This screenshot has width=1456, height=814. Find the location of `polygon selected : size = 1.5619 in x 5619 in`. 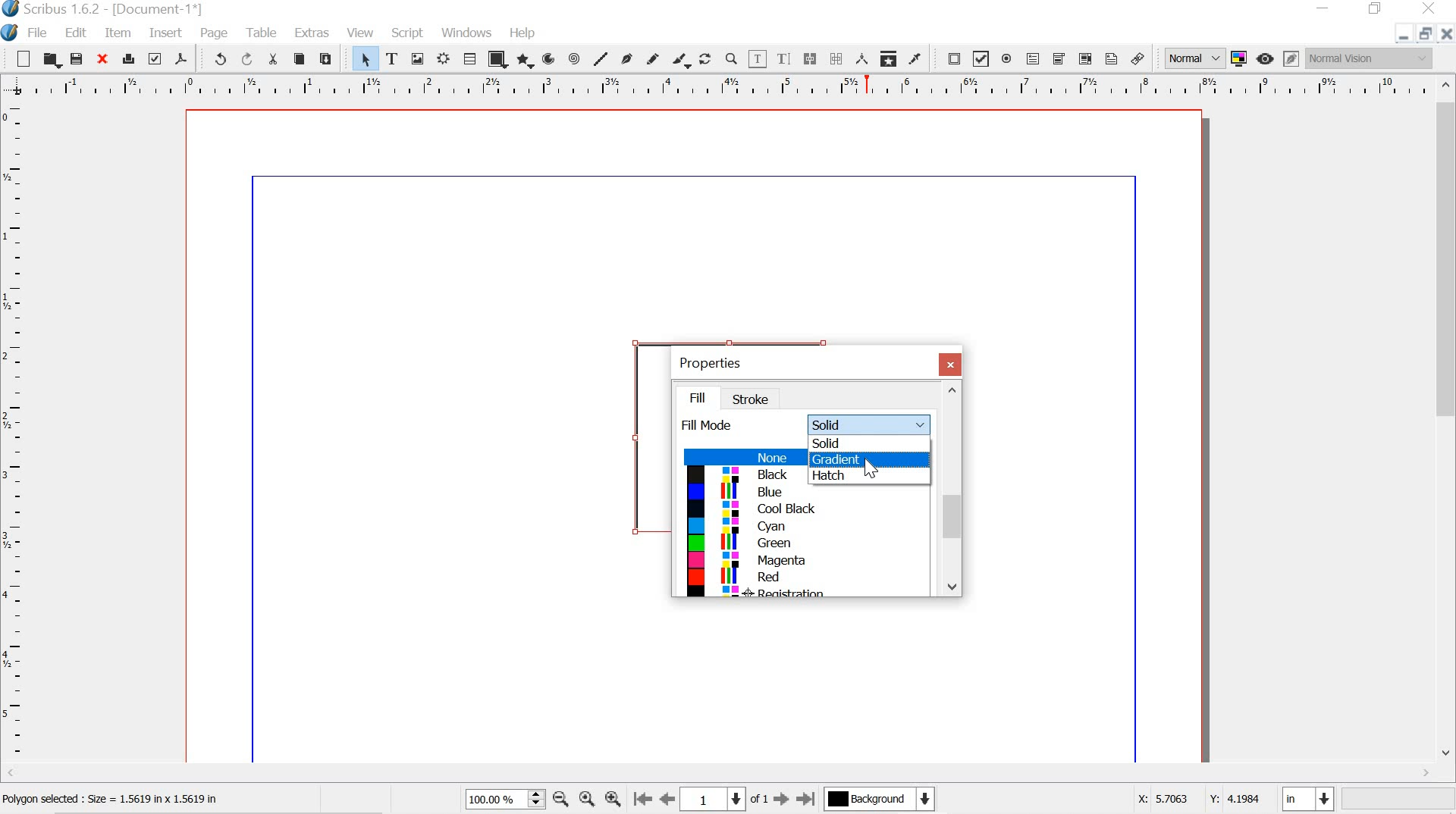

polygon selected : size = 1.5619 in x 5619 in is located at coordinates (132, 799).